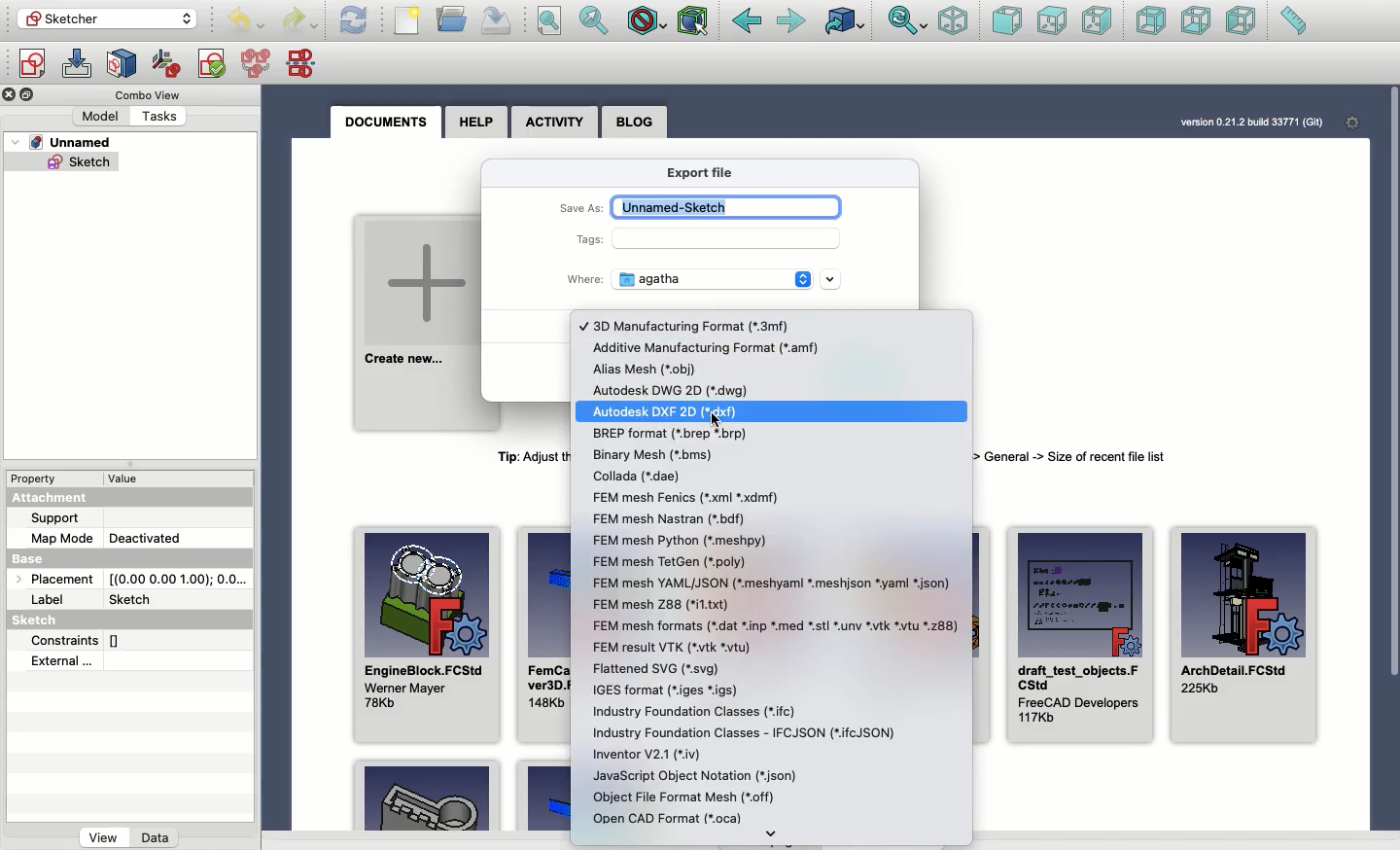  Describe the element at coordinates (109, 538) in the screenshot. I see `Map mode deactivated` at that location.